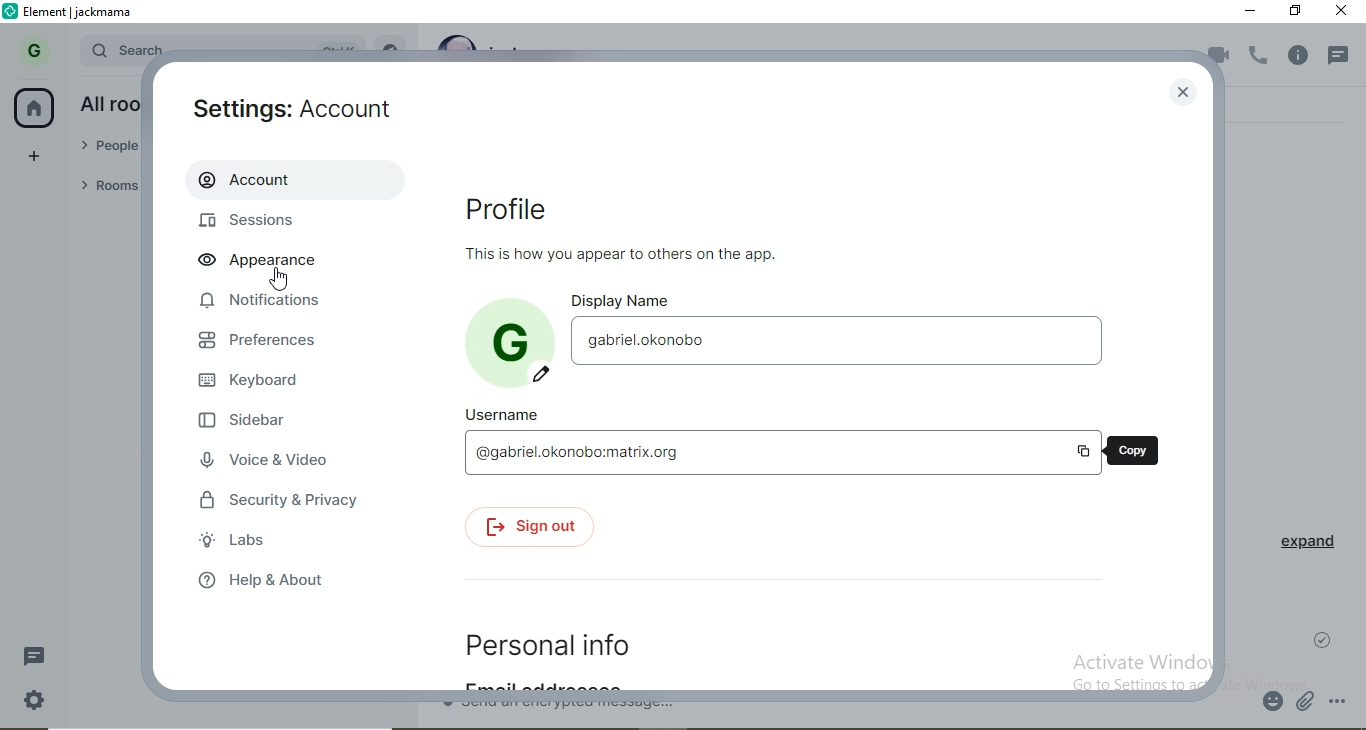 This screenshot has width=1366, height=730. What do you see at coordinates (514, 208) in the screenshot?
I see `profile` at bounding box center [514, 208].